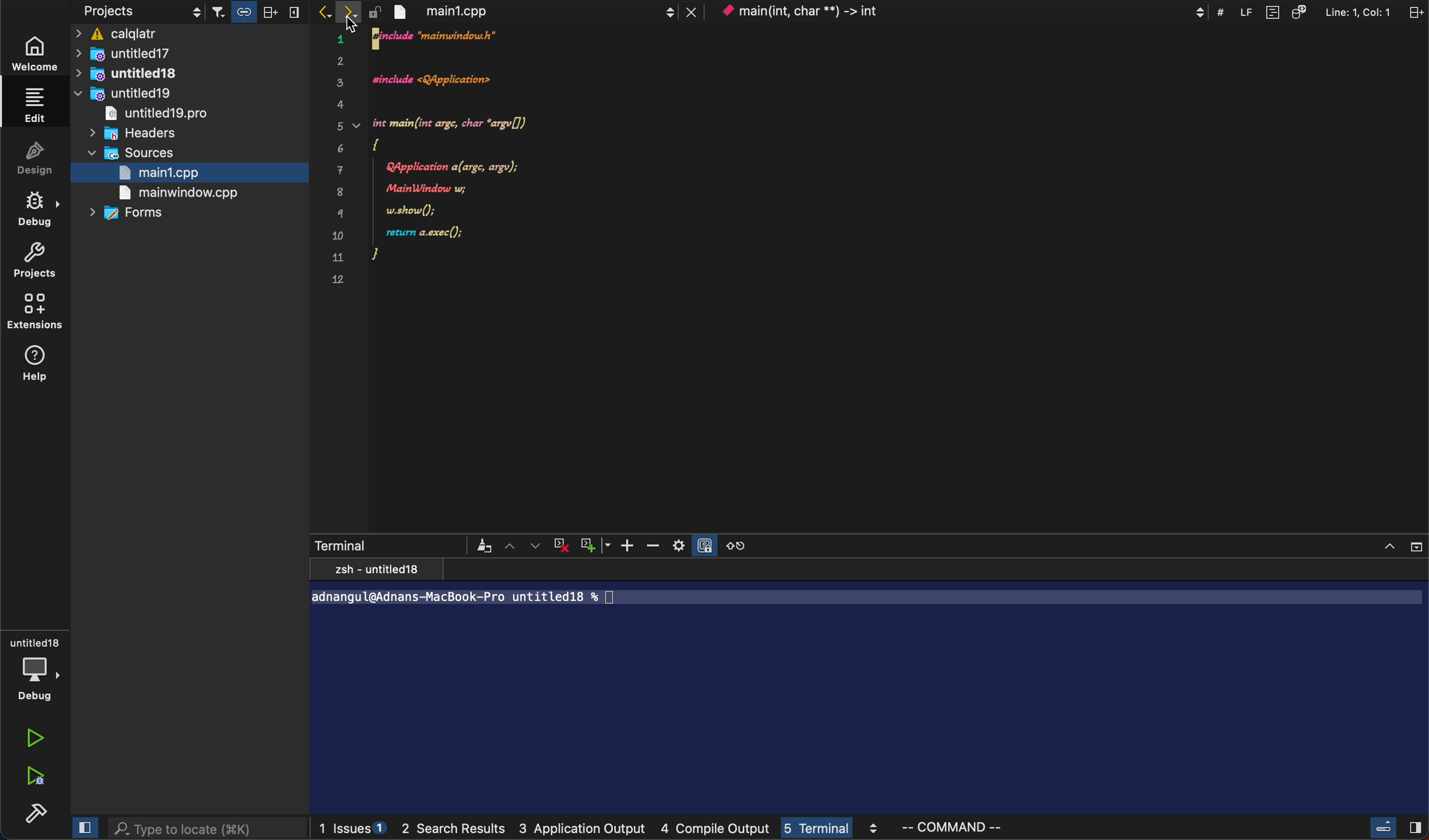 This screenshot has height=840, width=1429. I want to click on untiled19, so click(129, 94).